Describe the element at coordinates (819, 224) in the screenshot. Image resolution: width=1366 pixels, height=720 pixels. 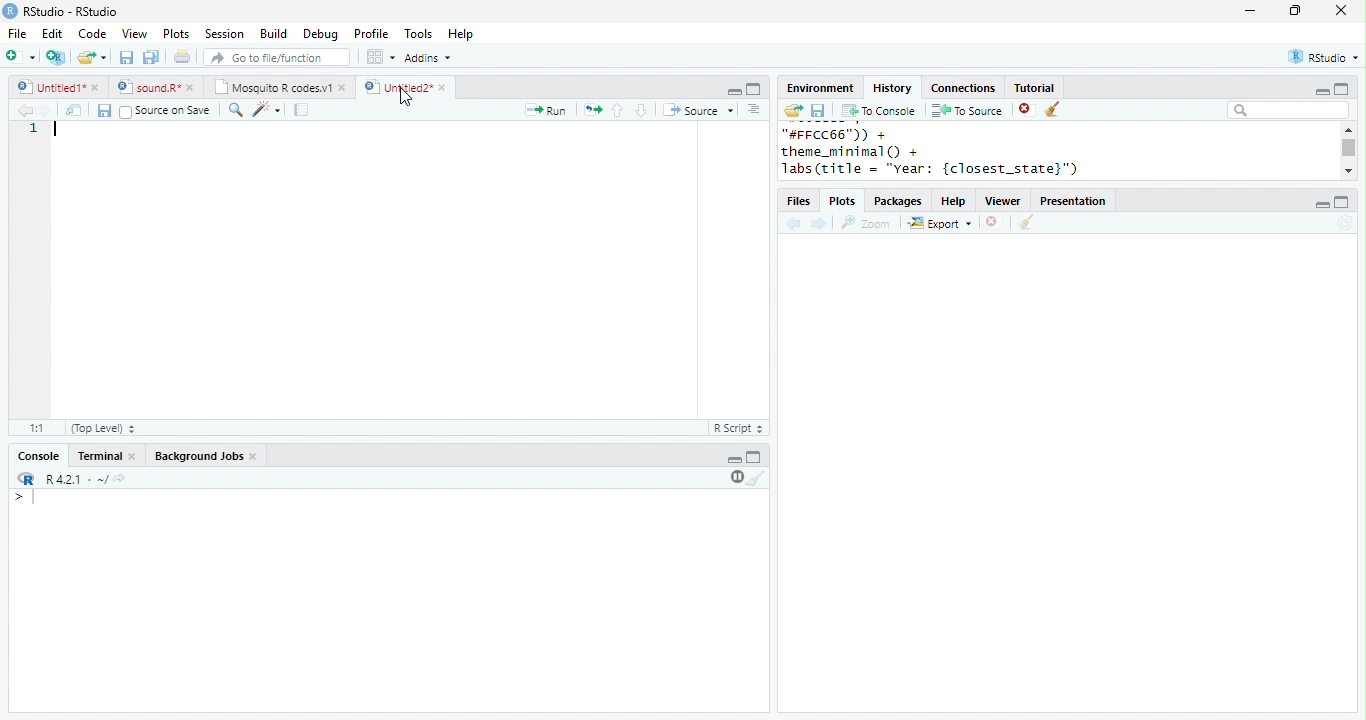
I see `forward` at that location.